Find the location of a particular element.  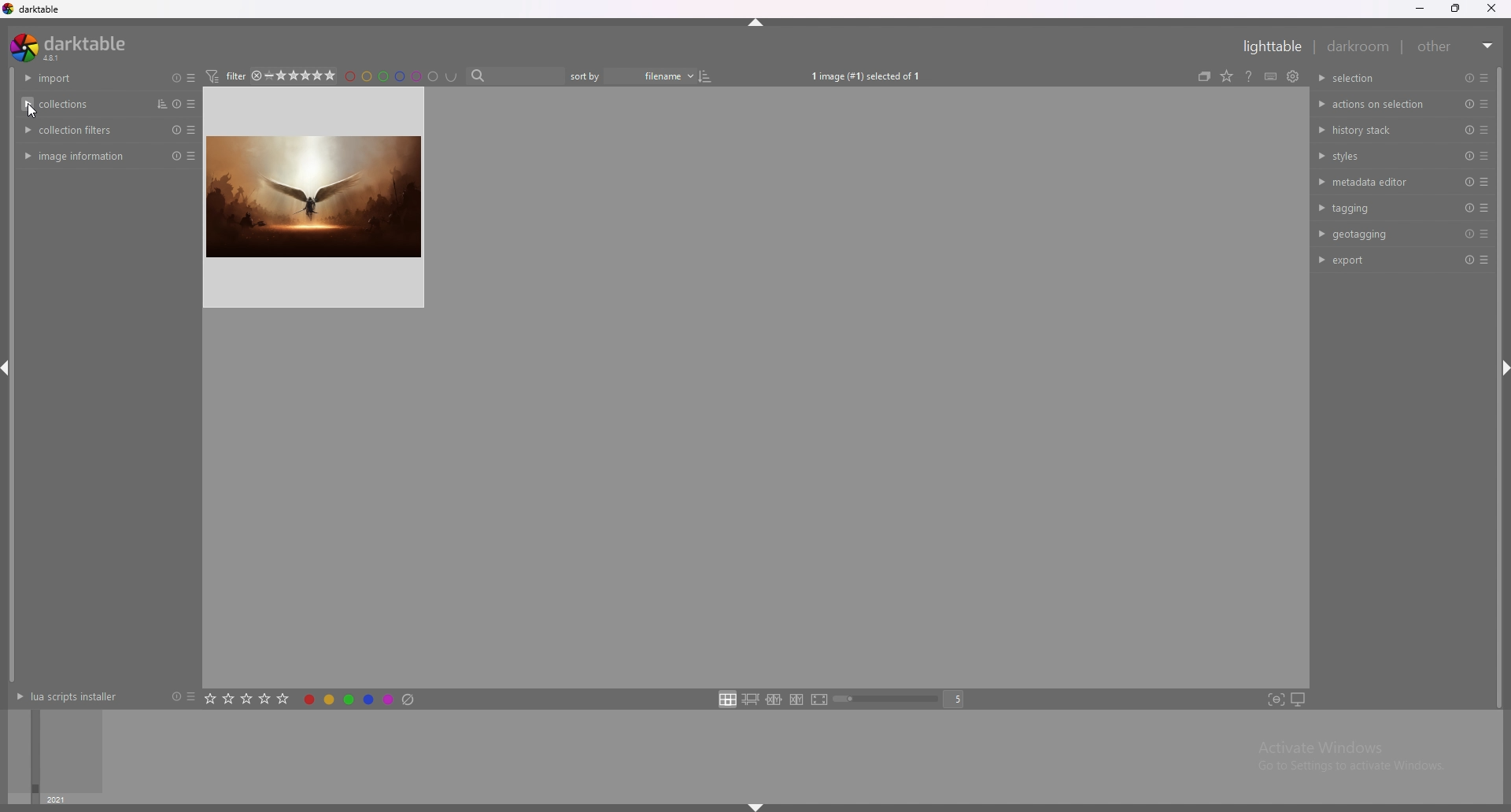

reset is located at coordinates (1469, 234).